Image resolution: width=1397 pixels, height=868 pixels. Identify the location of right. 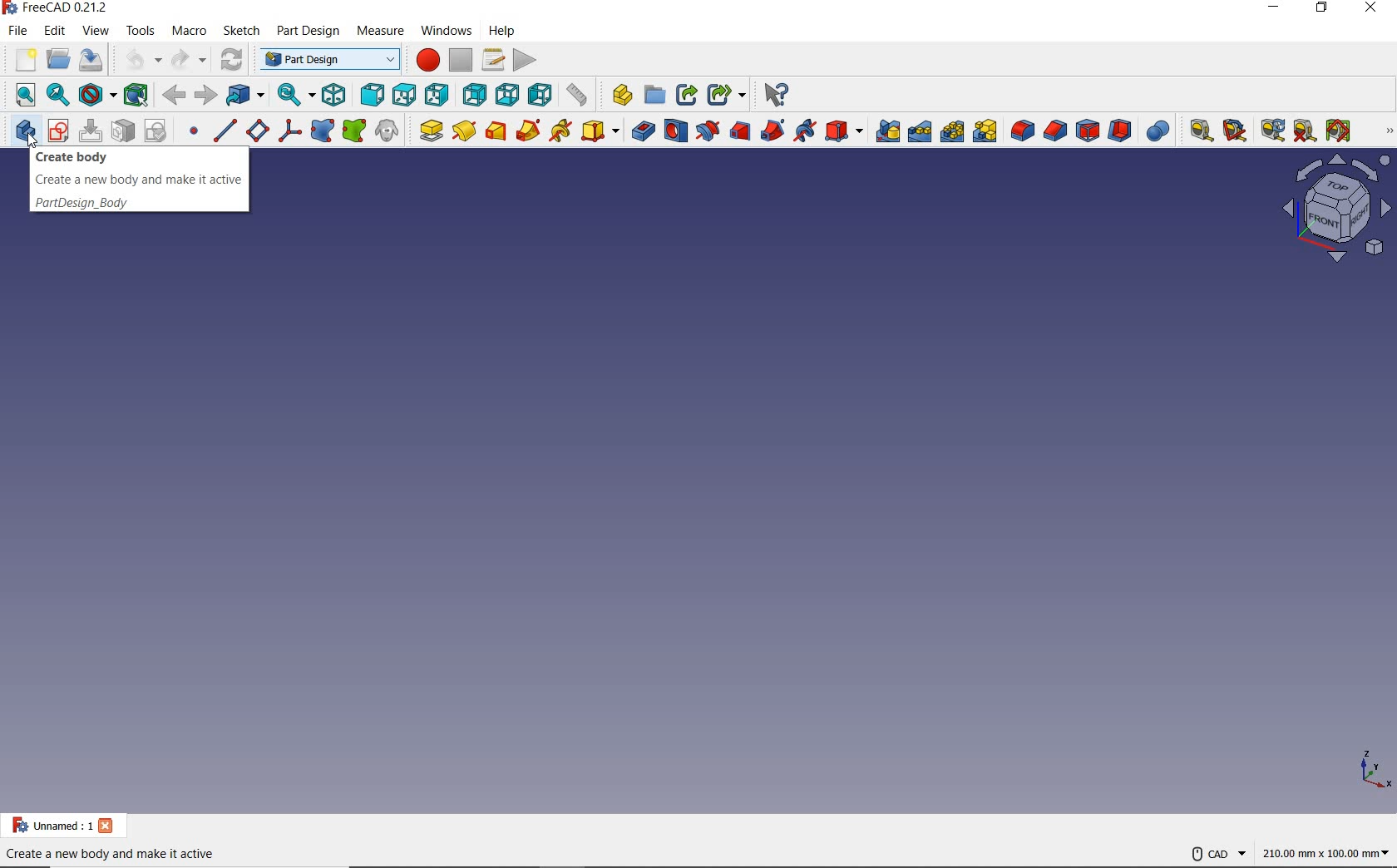
(436, 96).